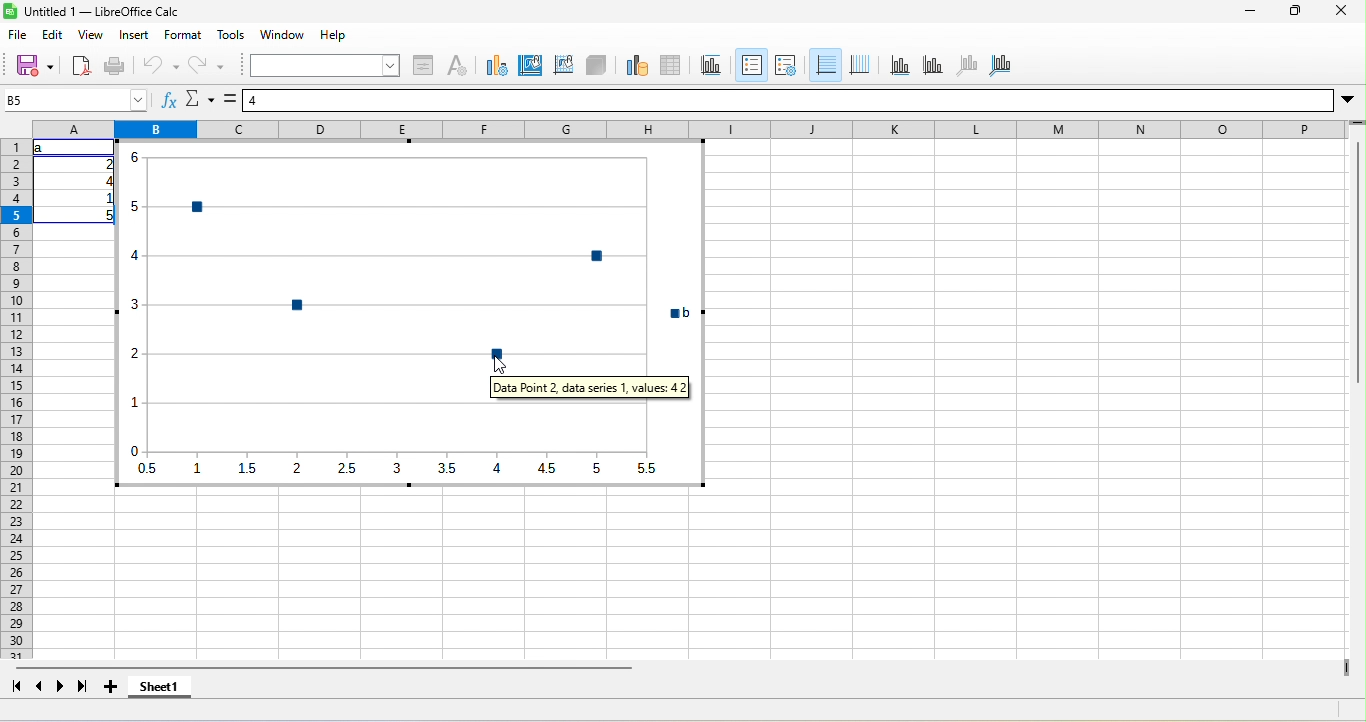 Image resolution: width=1366 pixels, height=722 pixels. What do you see at coordinates (1357, 256) in the screenshot?
I see `vertical scroll bar` at bounding box center [1357, 256].